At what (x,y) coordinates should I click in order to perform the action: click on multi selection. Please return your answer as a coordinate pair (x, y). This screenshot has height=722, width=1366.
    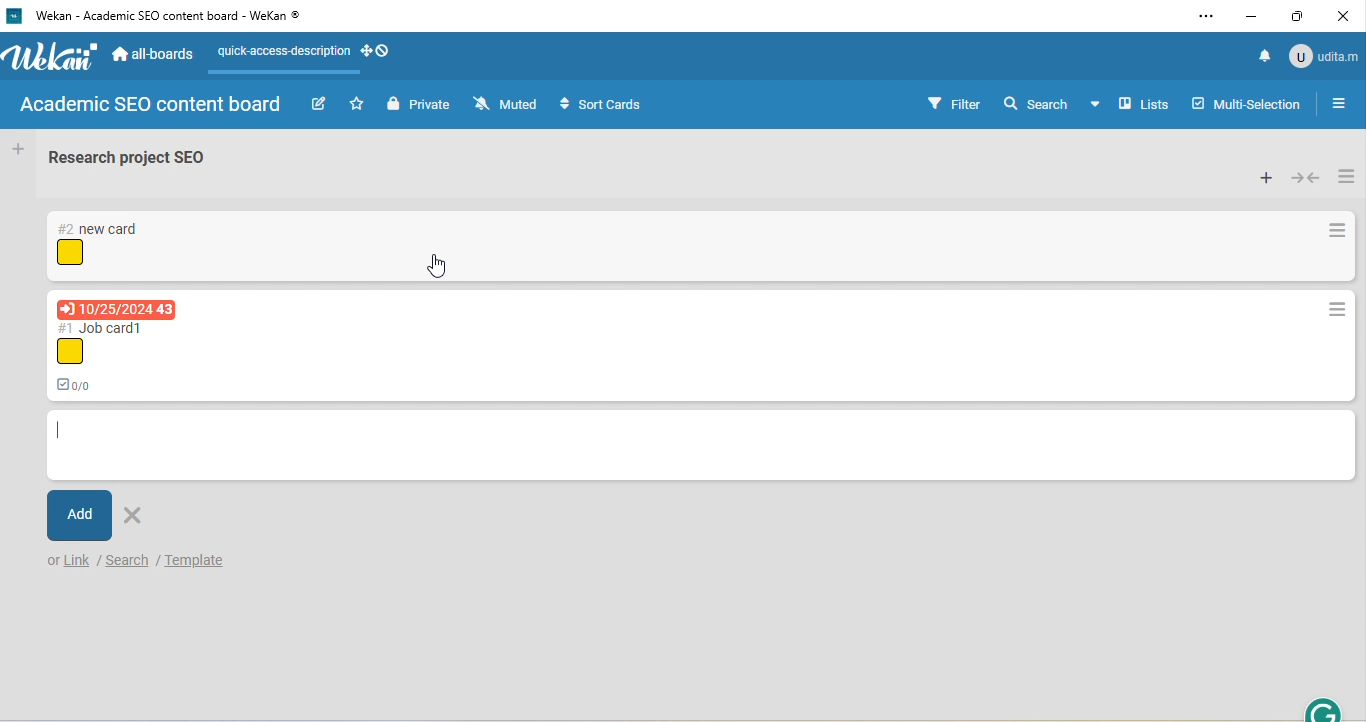
    Looking at the image, I should click on (1249, 102).